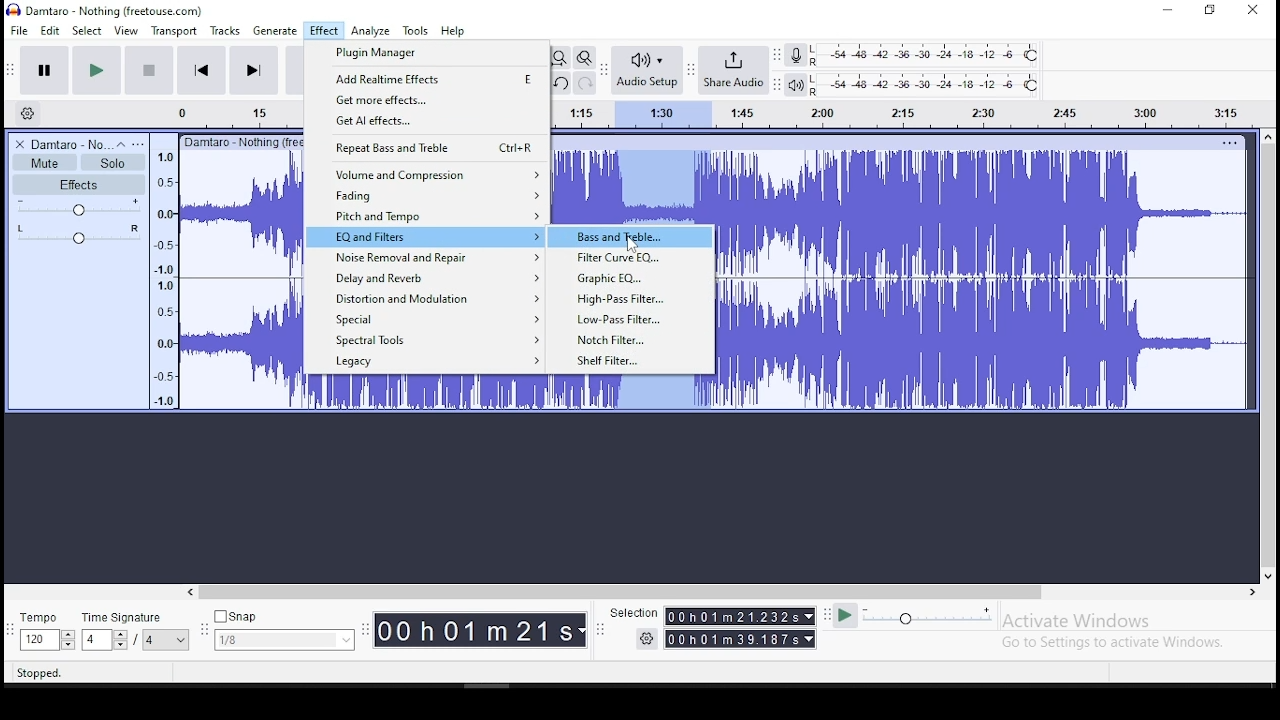  I want to click on /4, so click(150, 639).